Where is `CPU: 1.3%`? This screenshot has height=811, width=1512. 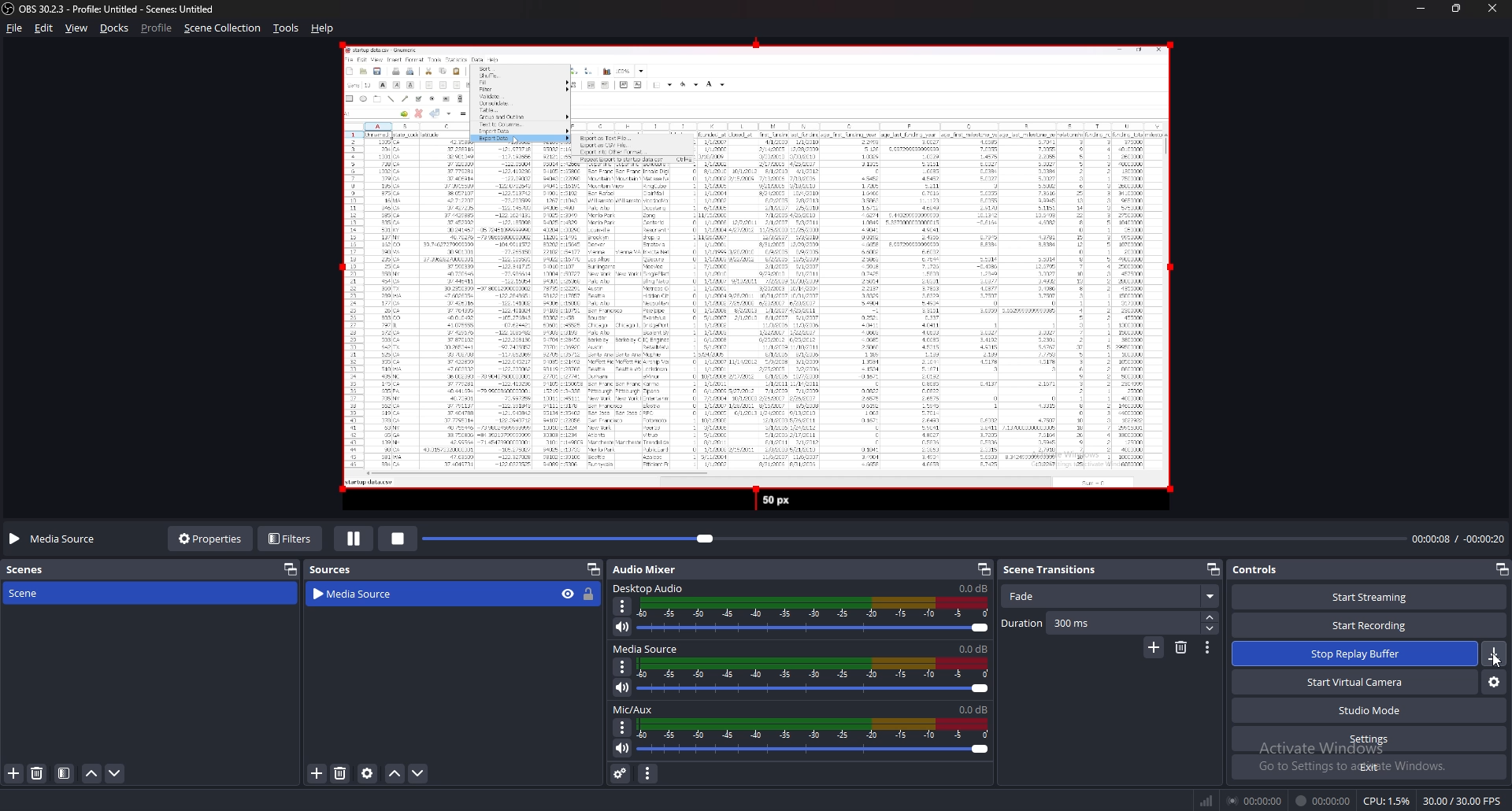
CPU: 1.3% is located at coordinates (1387, 801).